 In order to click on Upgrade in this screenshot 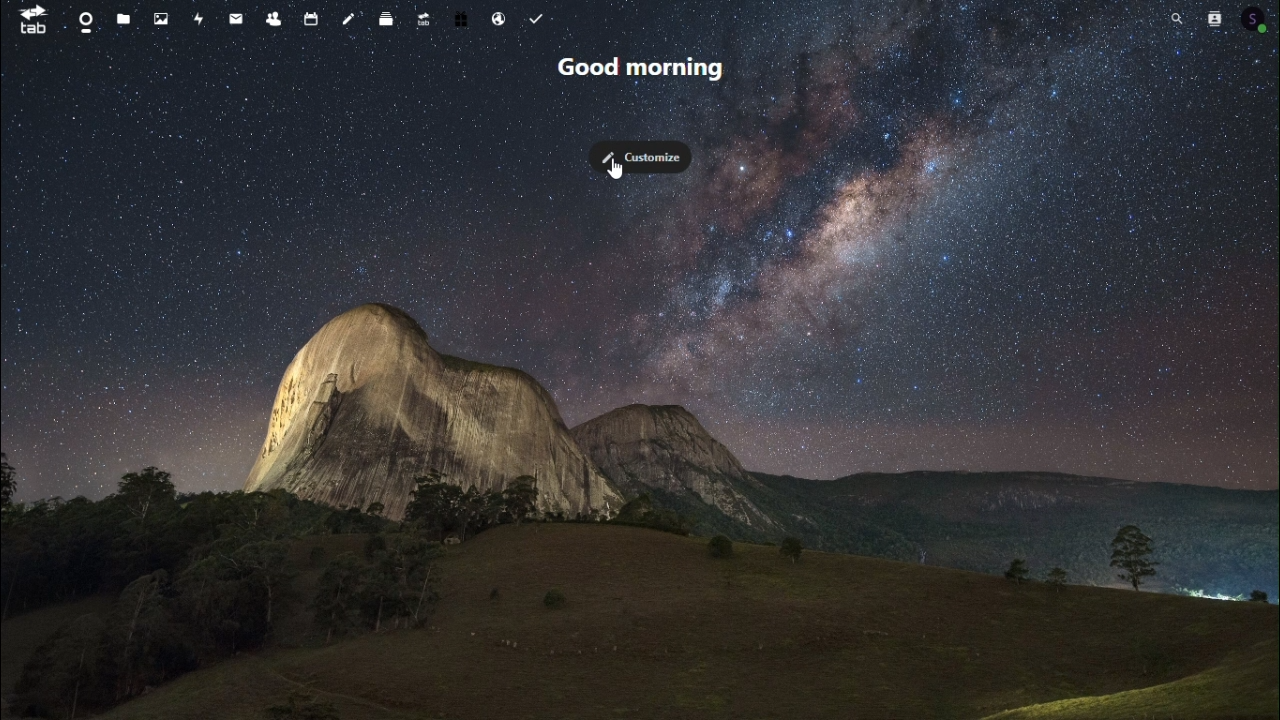, I will do `click(424, 16)`.